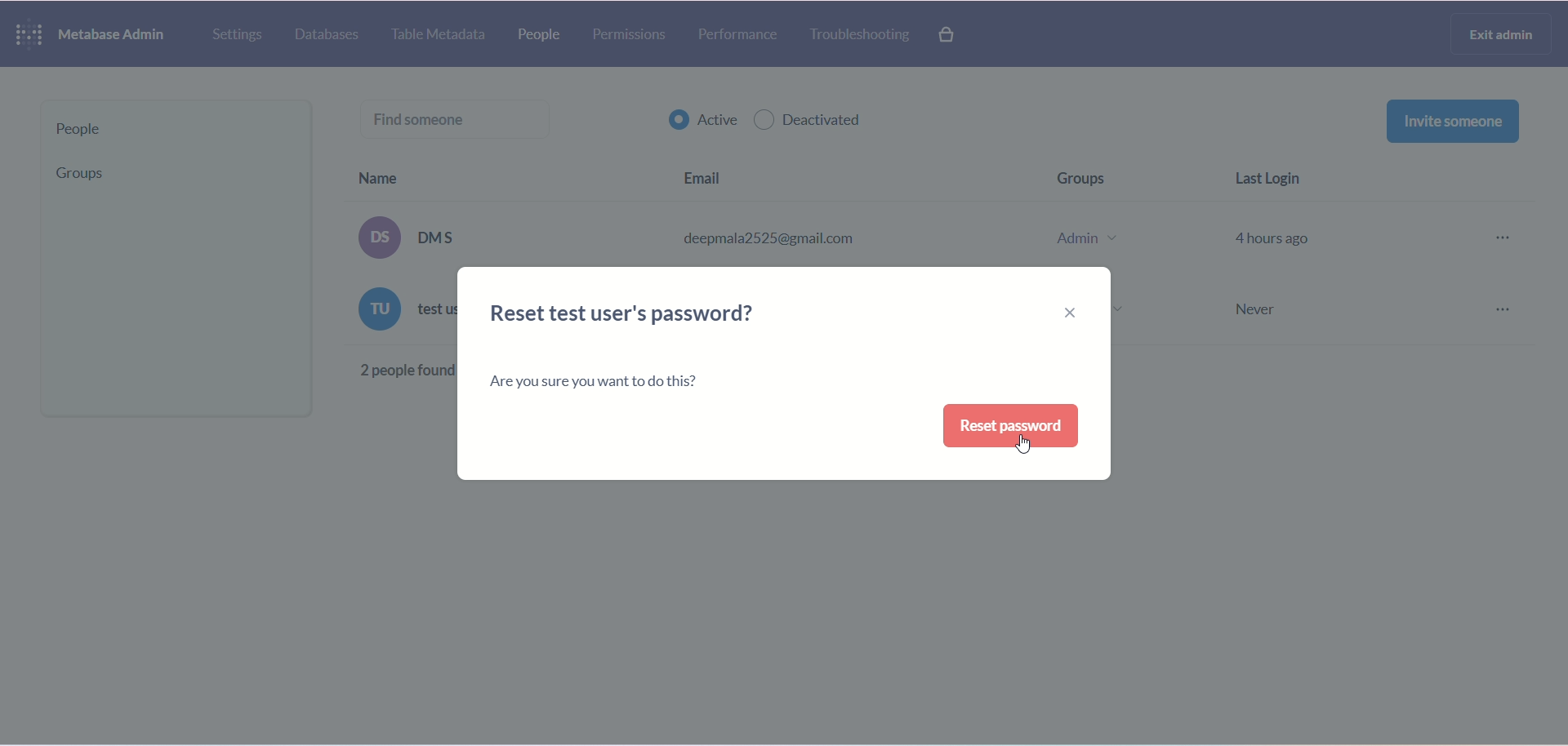 This screenshot has width=1568, height=746. Describe the element at coordinates (403, 369) in the screenshot. I see `2 people found` at that location.